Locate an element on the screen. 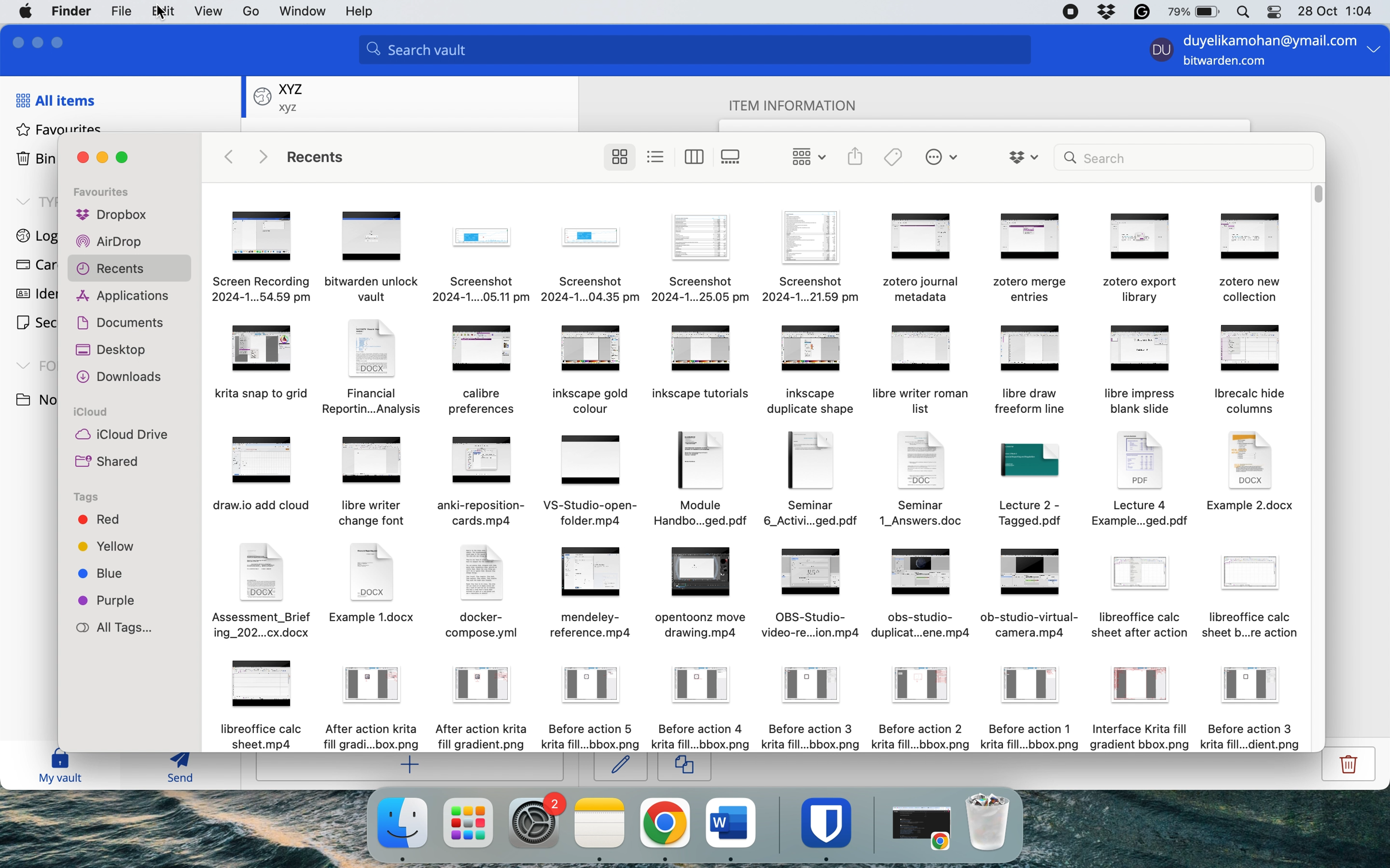  show items as list is located at coordinates (657, 156).